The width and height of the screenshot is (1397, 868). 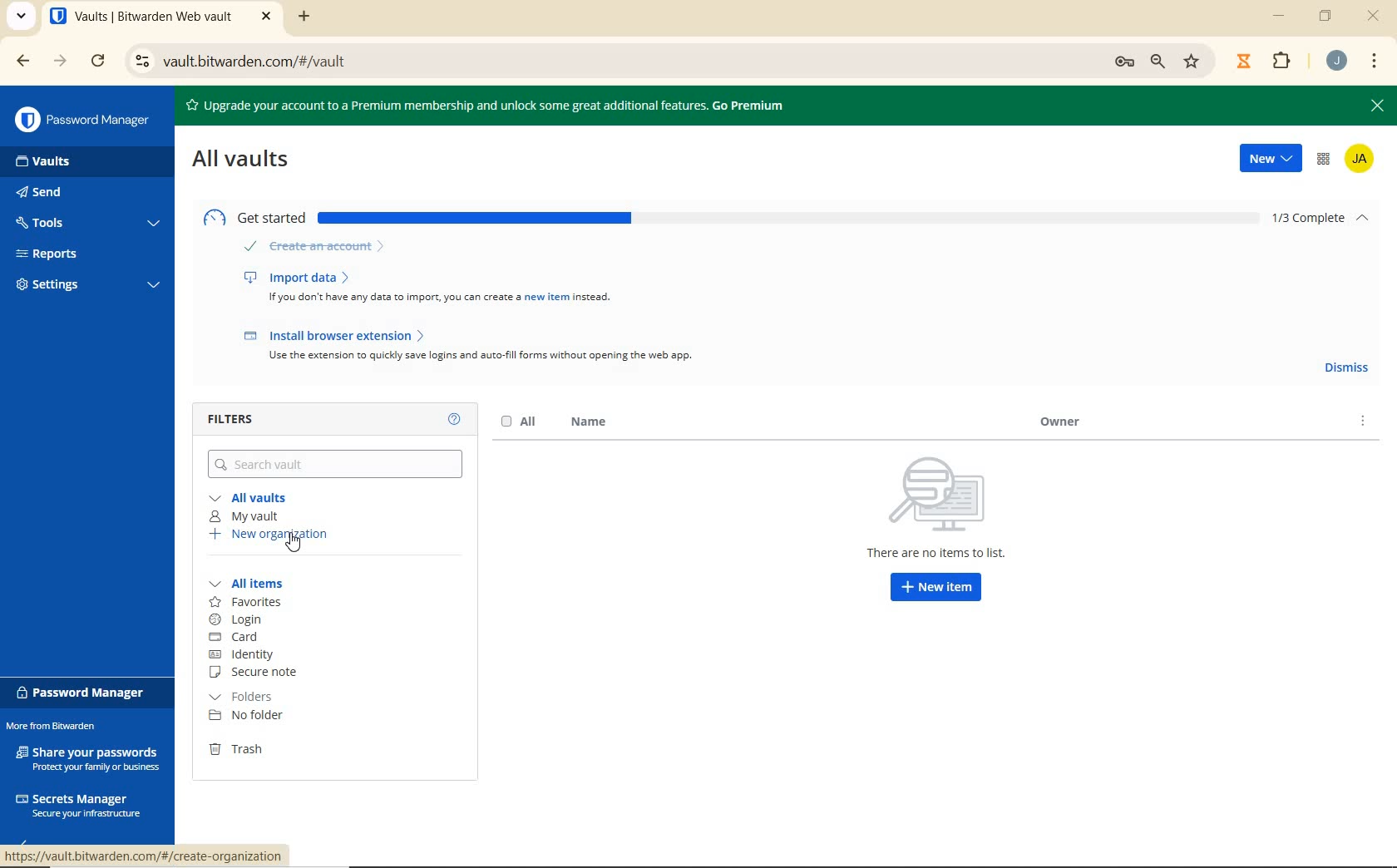 I want to click on upgrade your account to a premium membership, so click(x=504, y=104).